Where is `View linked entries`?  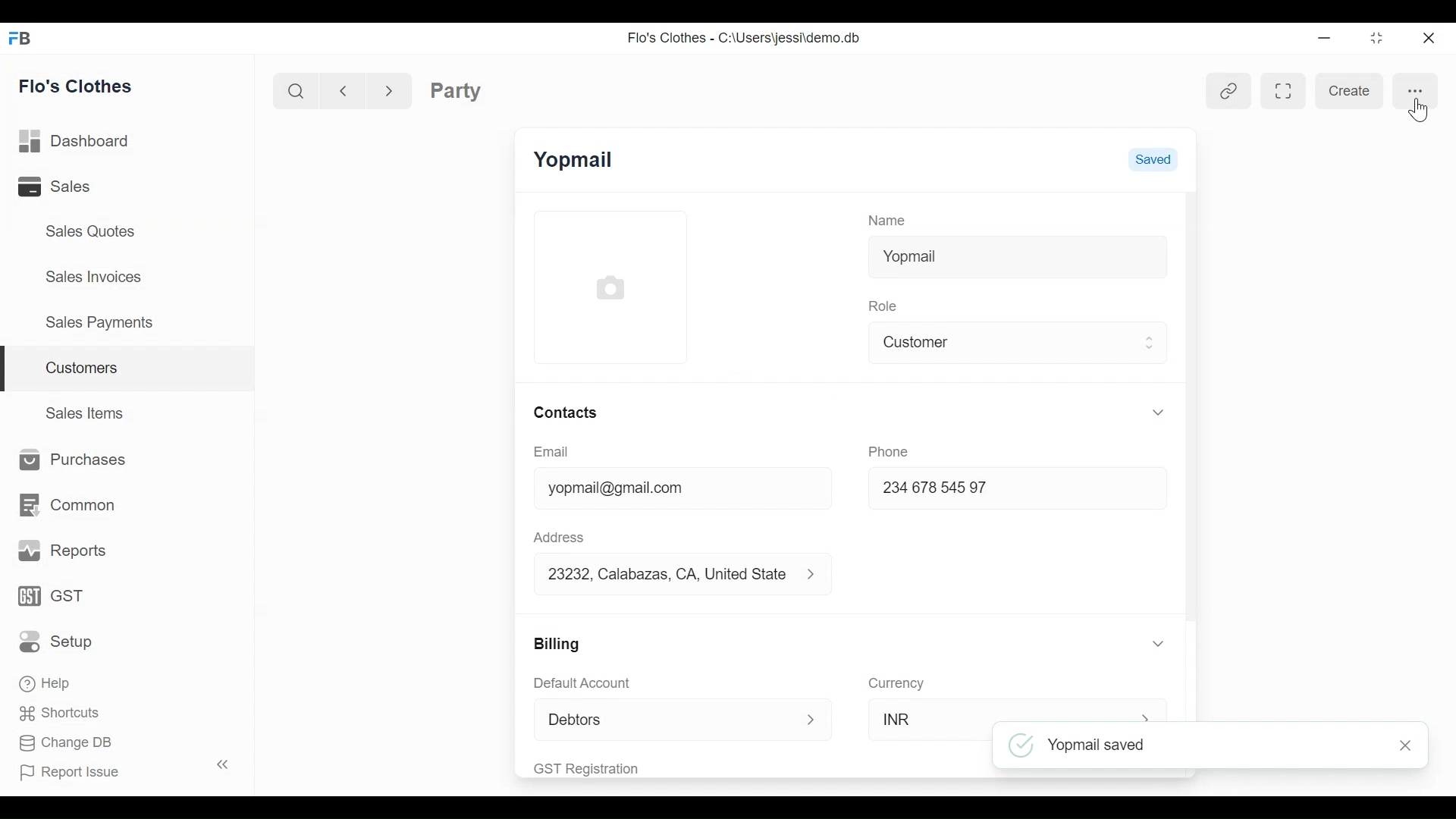 View linked entries is located at coordinates (1225, 91).